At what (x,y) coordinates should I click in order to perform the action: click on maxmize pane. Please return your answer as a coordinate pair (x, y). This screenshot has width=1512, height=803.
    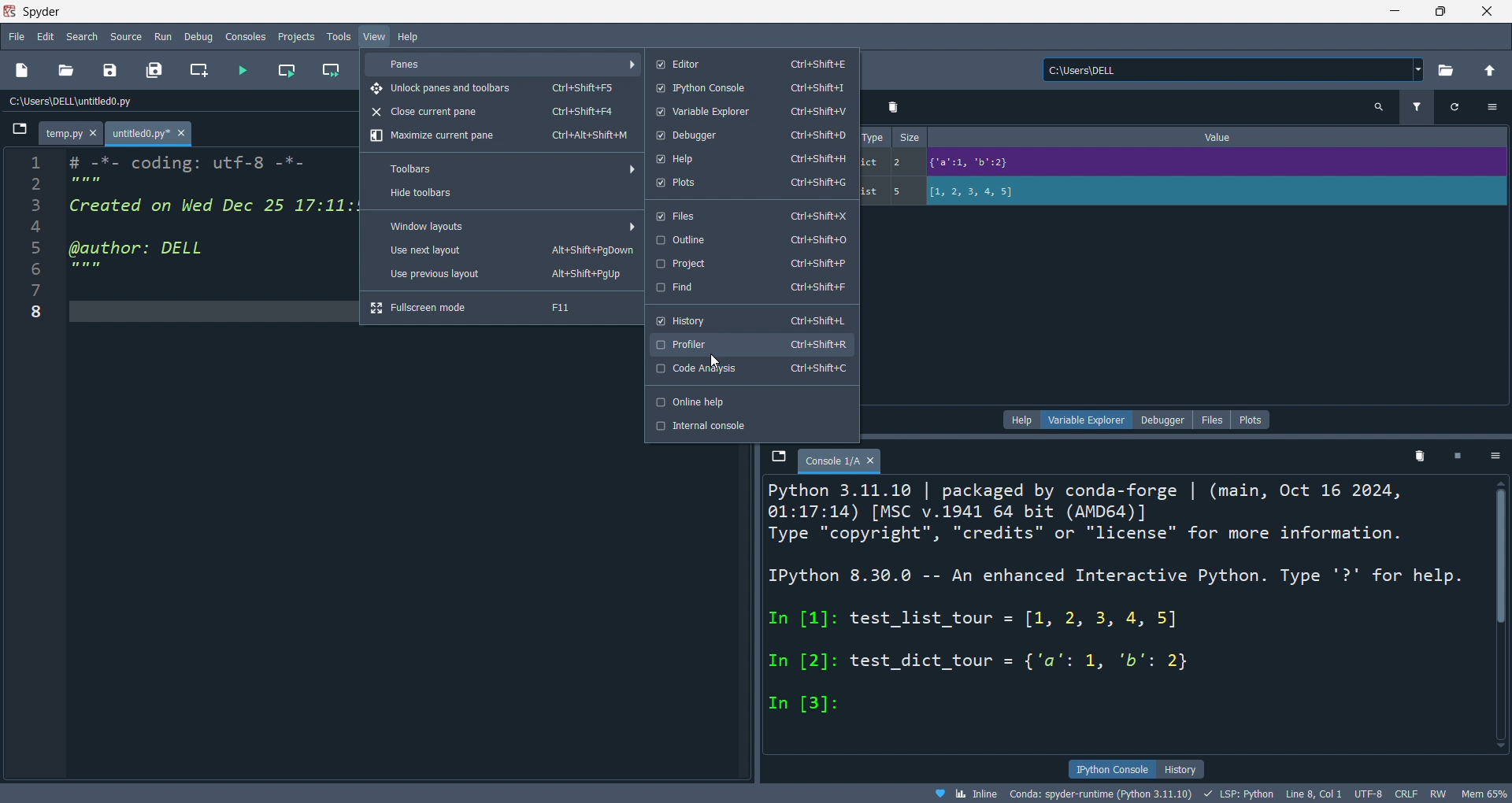
    Looking at the image, I should click on (502, 139).